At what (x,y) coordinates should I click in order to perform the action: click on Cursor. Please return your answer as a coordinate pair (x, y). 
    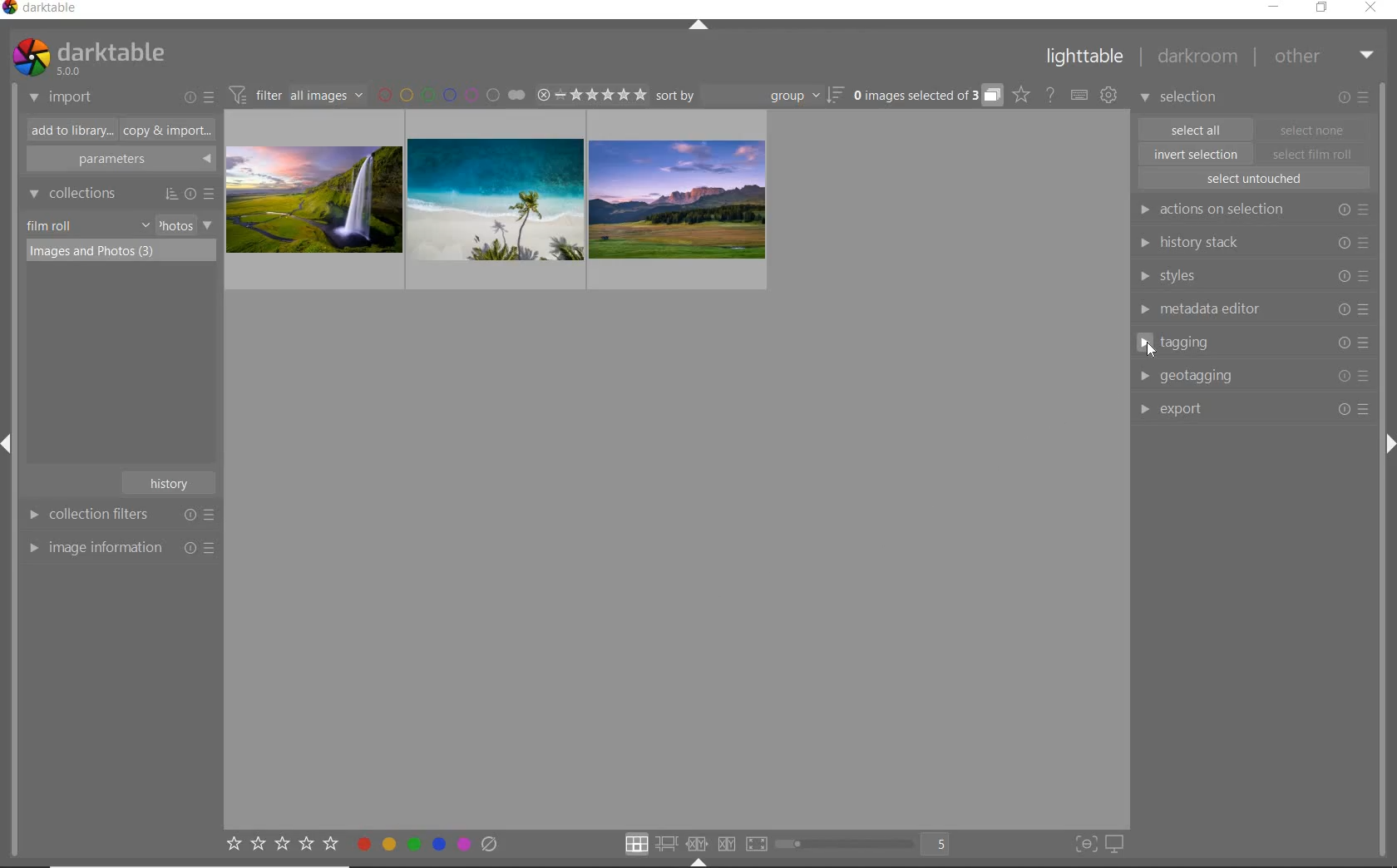
    Looking at the image, I should click on (1153, 350).